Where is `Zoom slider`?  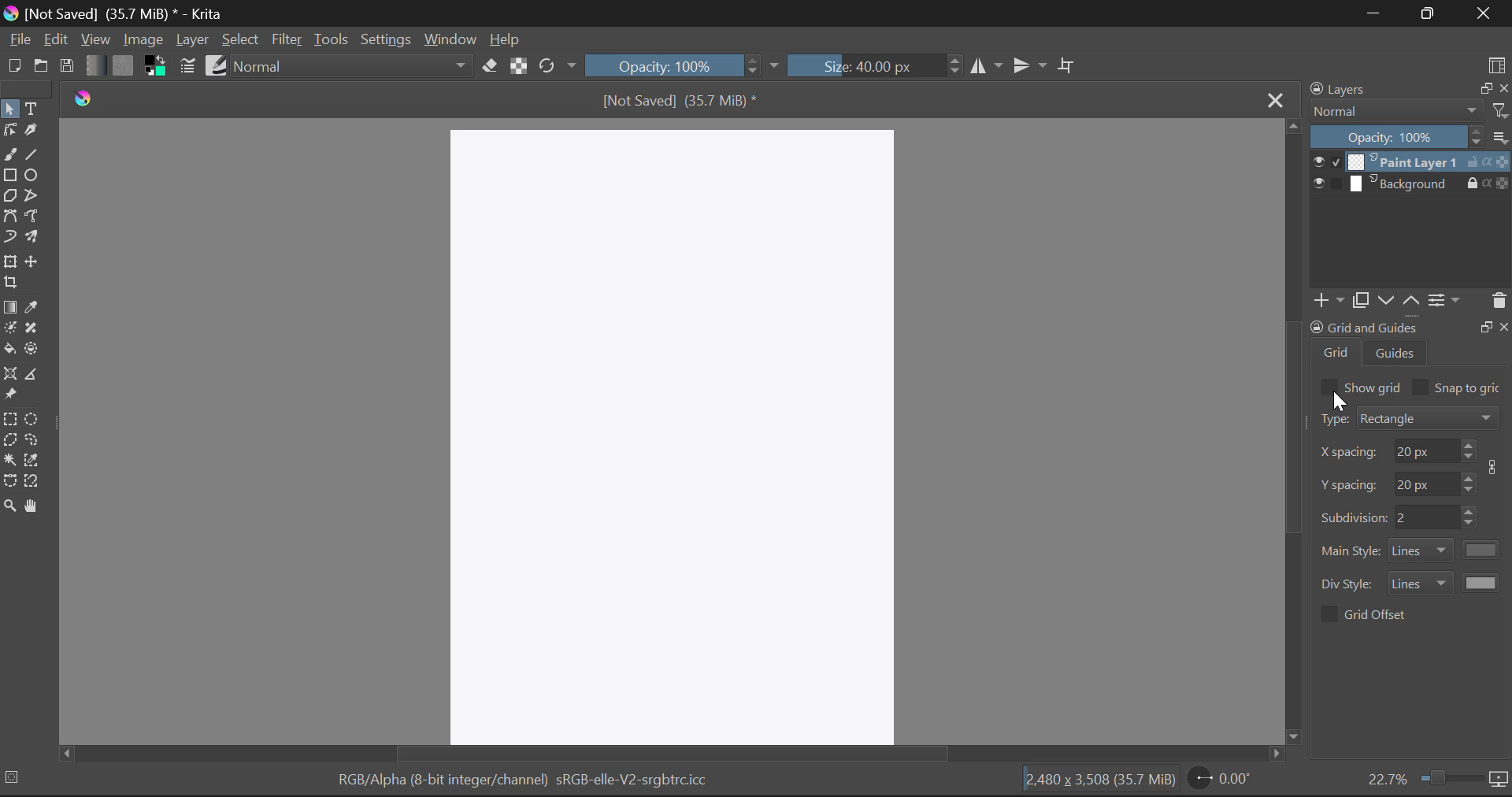
Zoom slider is located at coordinates (1449, 777).